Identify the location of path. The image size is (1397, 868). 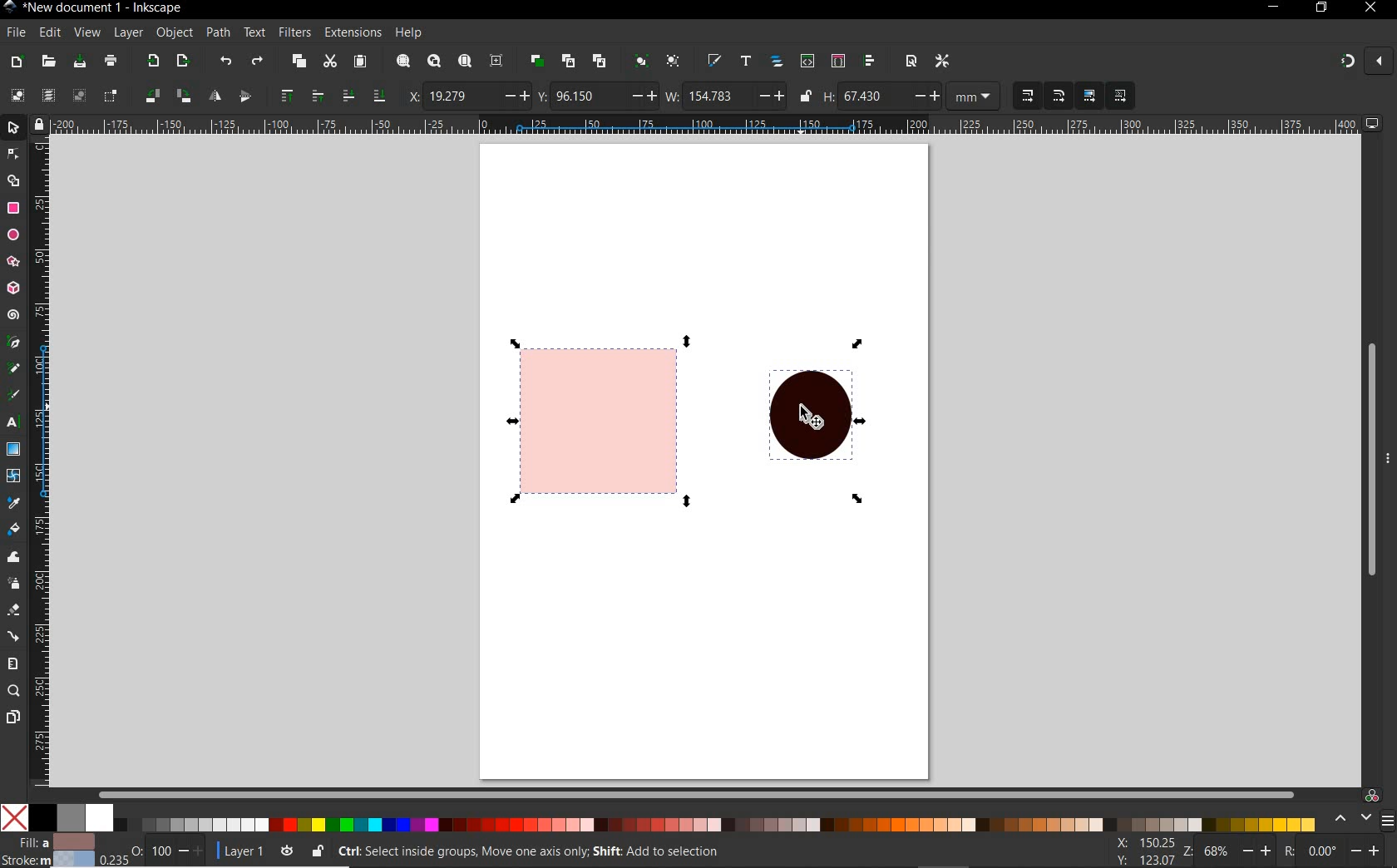
(218, 33).